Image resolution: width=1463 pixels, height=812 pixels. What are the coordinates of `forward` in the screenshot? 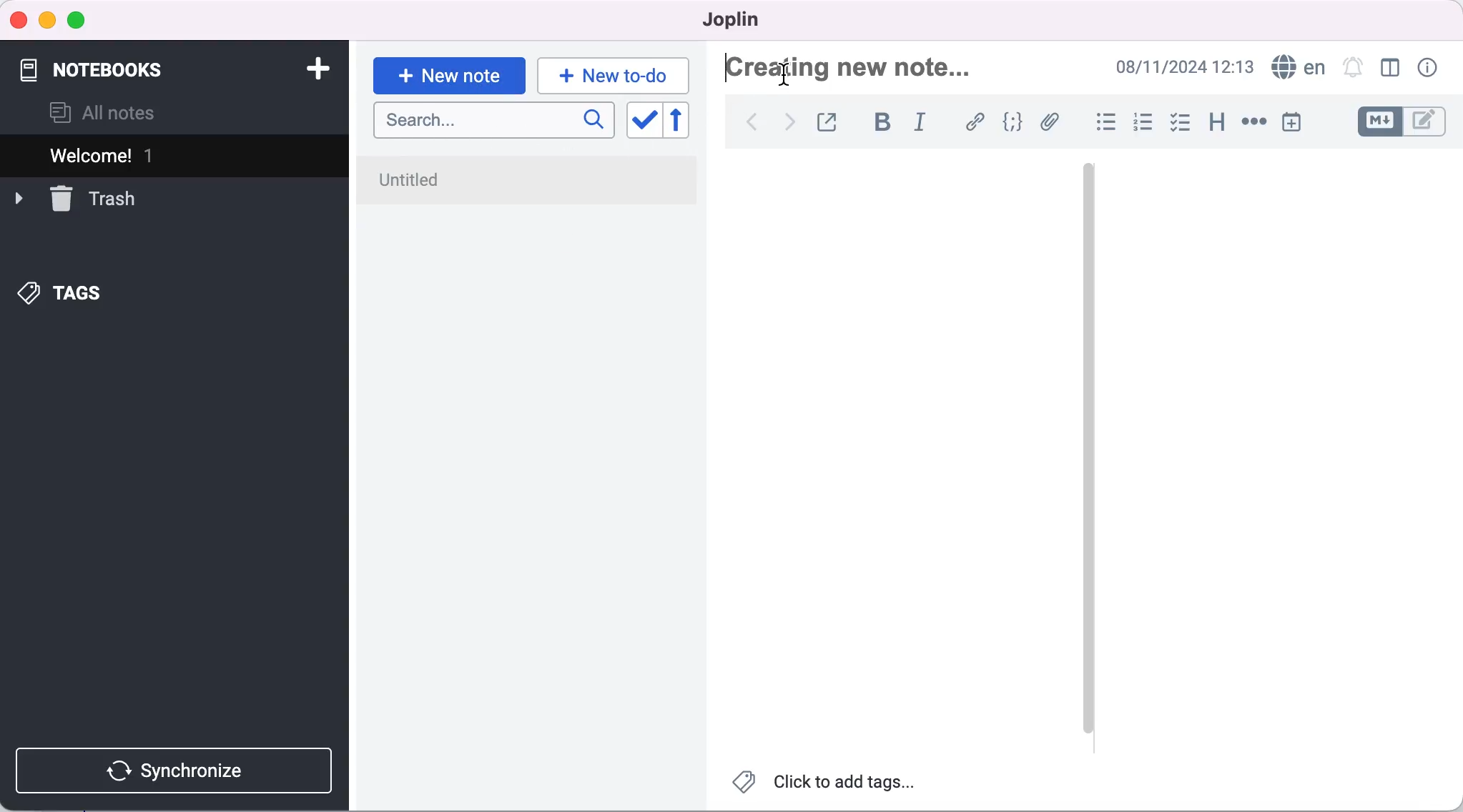 It's located at (787, 127).